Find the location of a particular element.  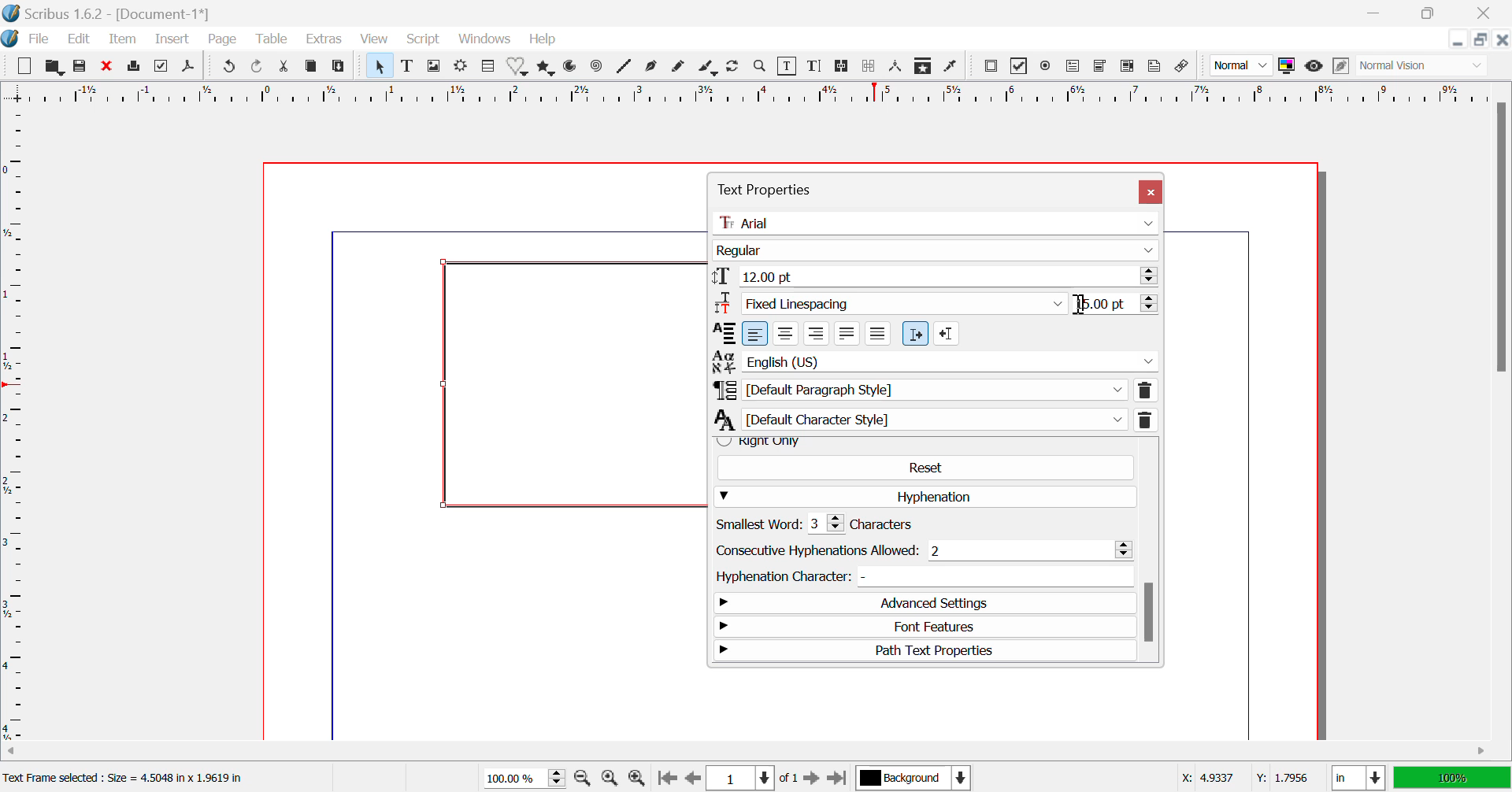

Consecutive hyphenations: 2 is located at coordinates (923, 550).